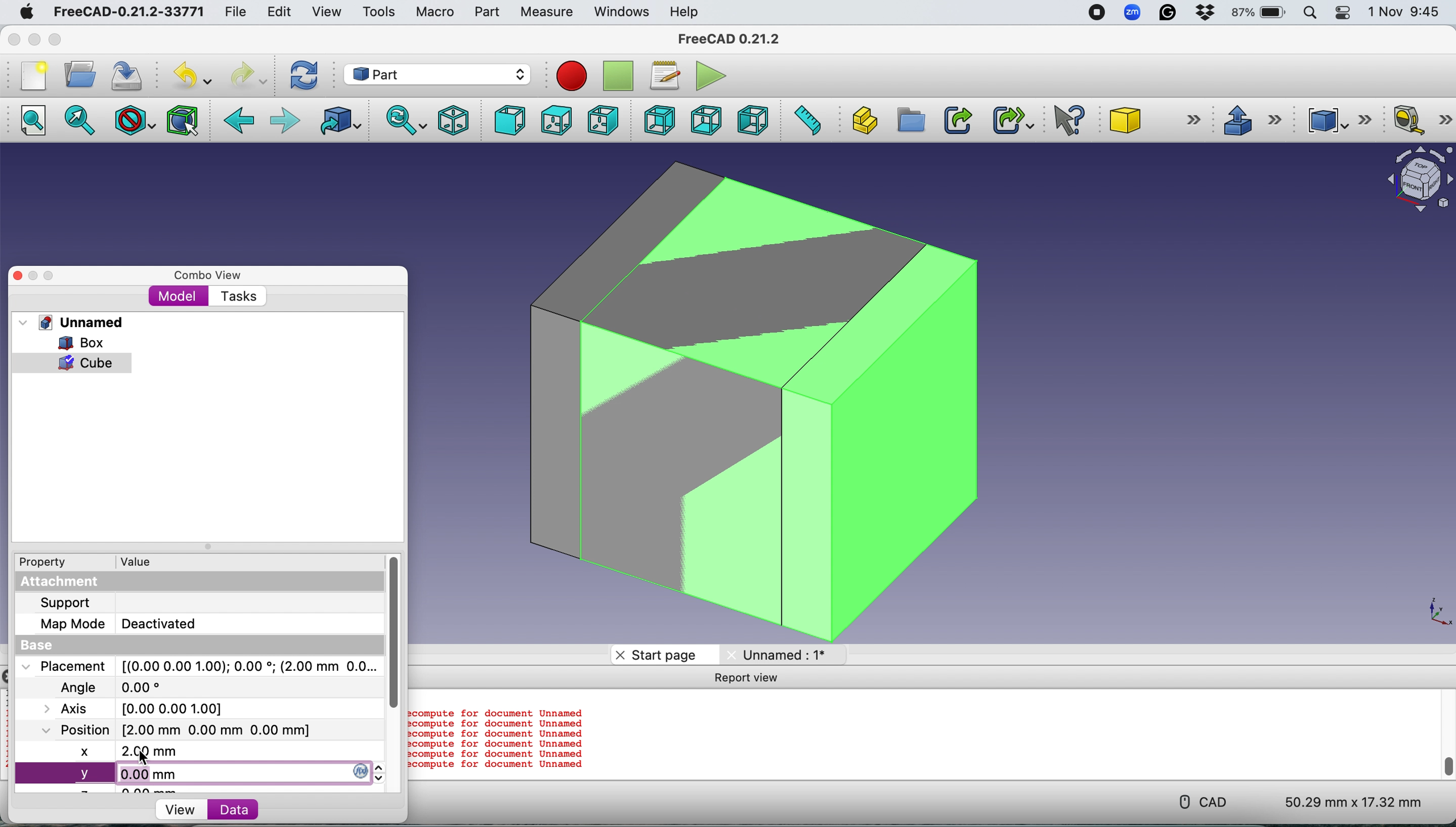  Describe the element at coordinates (1206, 14) in the screenshot. I see `Dropbox` at that location.